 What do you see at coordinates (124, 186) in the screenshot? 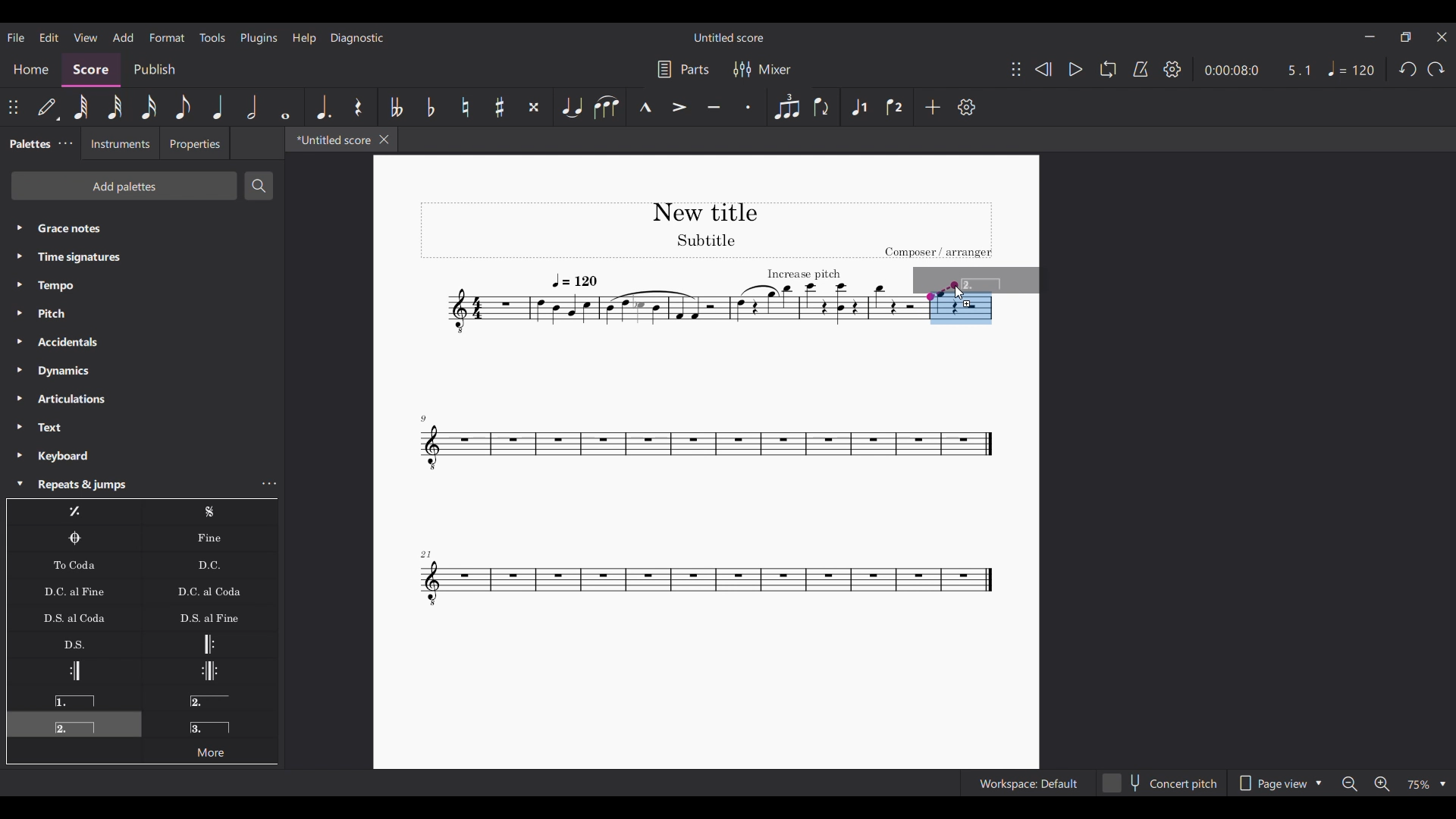
I see `Add palettes` at bounding box center [124, 186].